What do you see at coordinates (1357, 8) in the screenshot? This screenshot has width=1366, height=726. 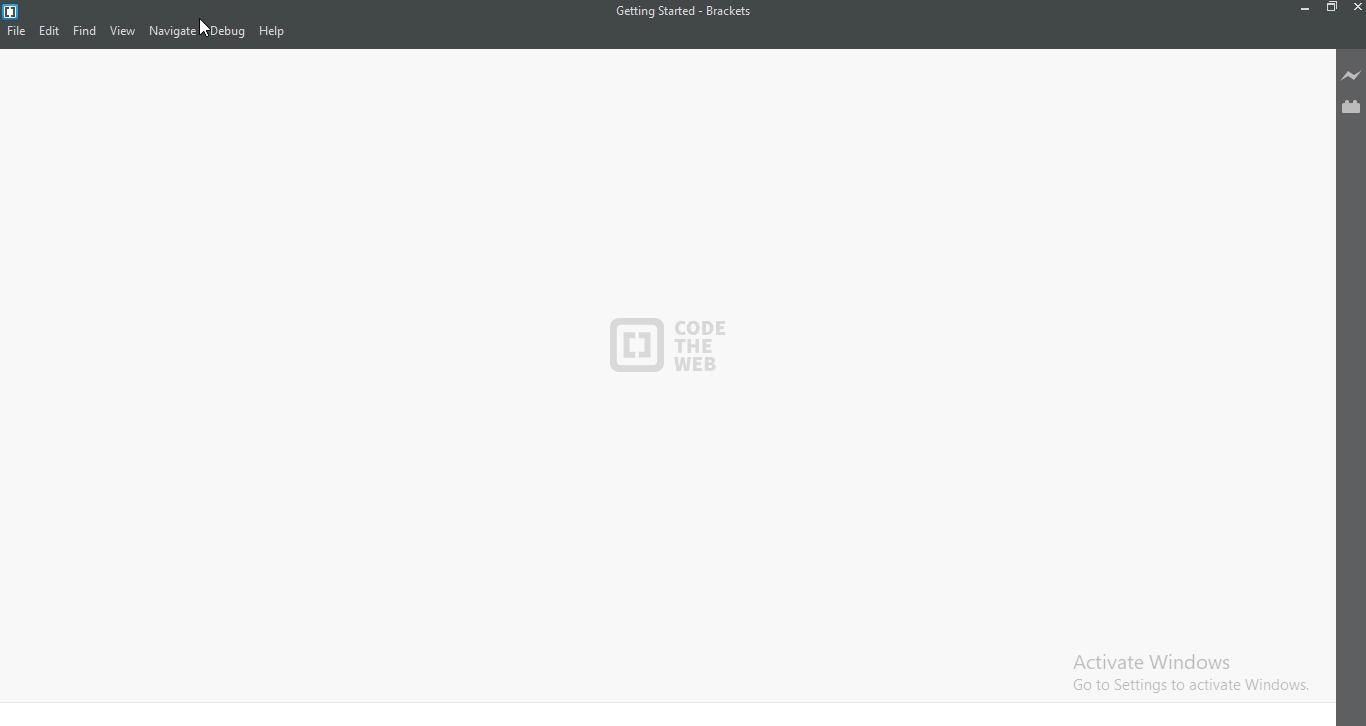 I see `Close` at bounding box center [1357, 8].